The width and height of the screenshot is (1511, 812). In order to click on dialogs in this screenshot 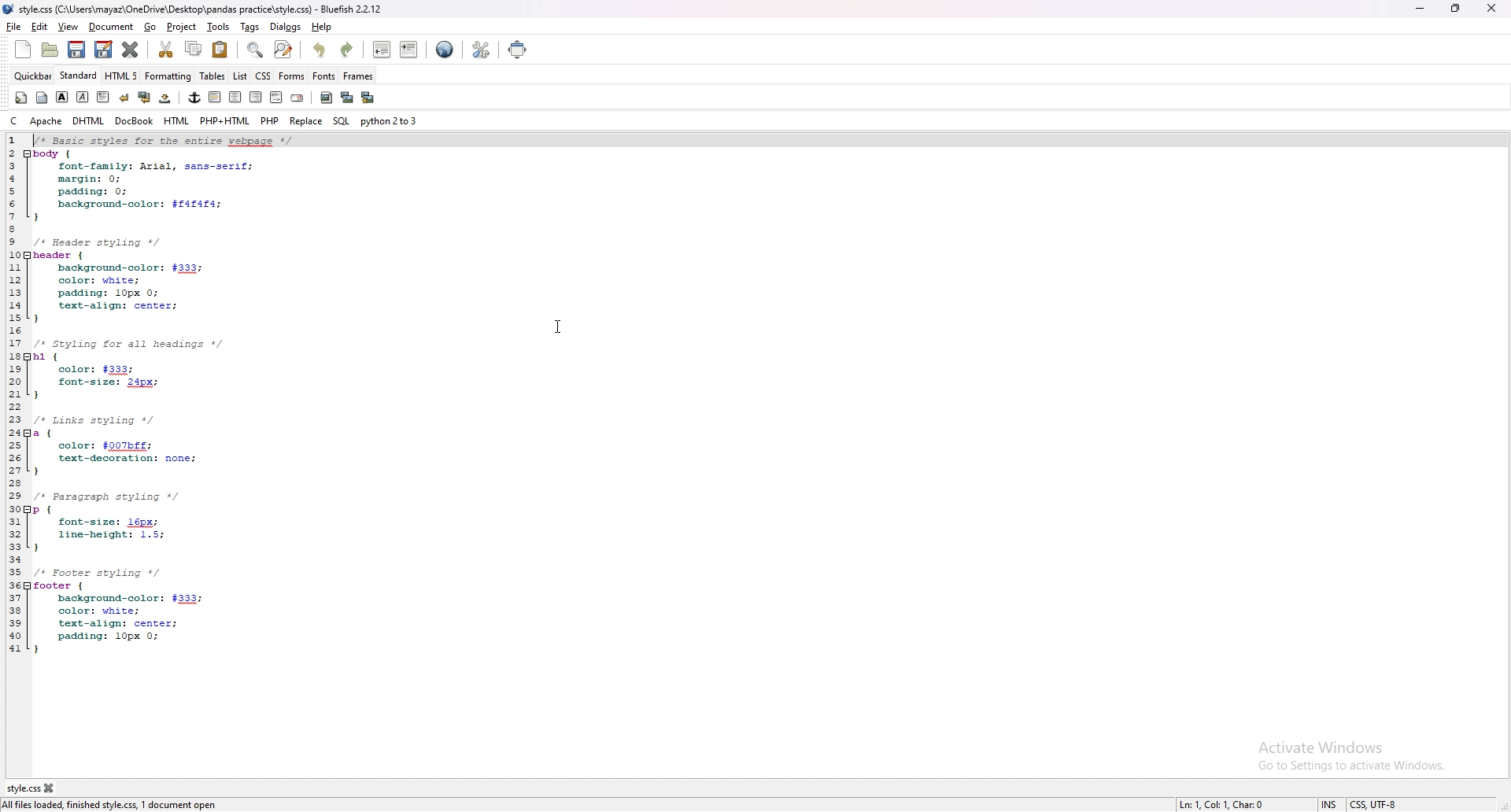, I will do `click(285, 28)`.